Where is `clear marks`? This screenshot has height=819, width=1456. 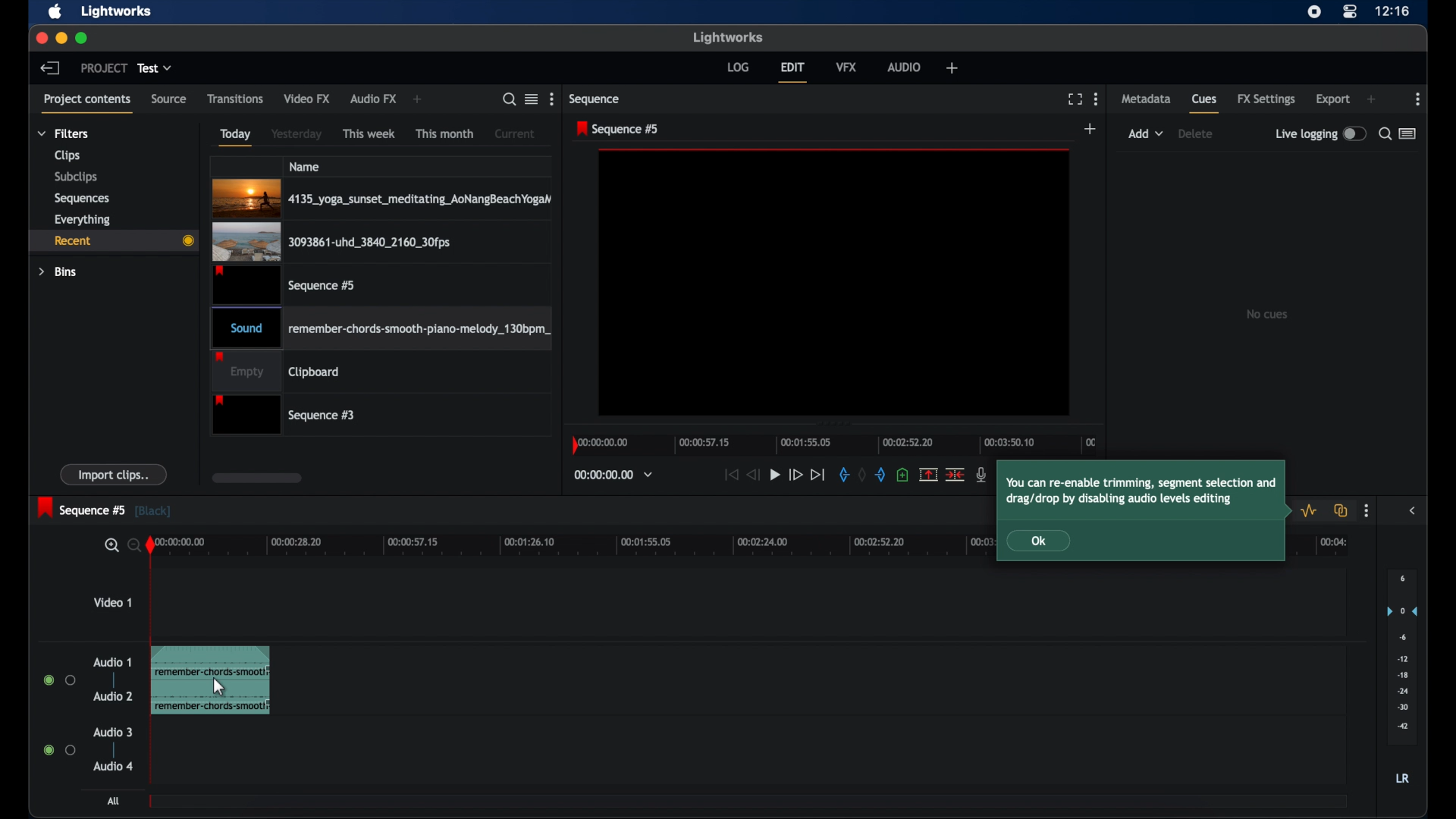 clear marks is located at coordinates (861, 475).